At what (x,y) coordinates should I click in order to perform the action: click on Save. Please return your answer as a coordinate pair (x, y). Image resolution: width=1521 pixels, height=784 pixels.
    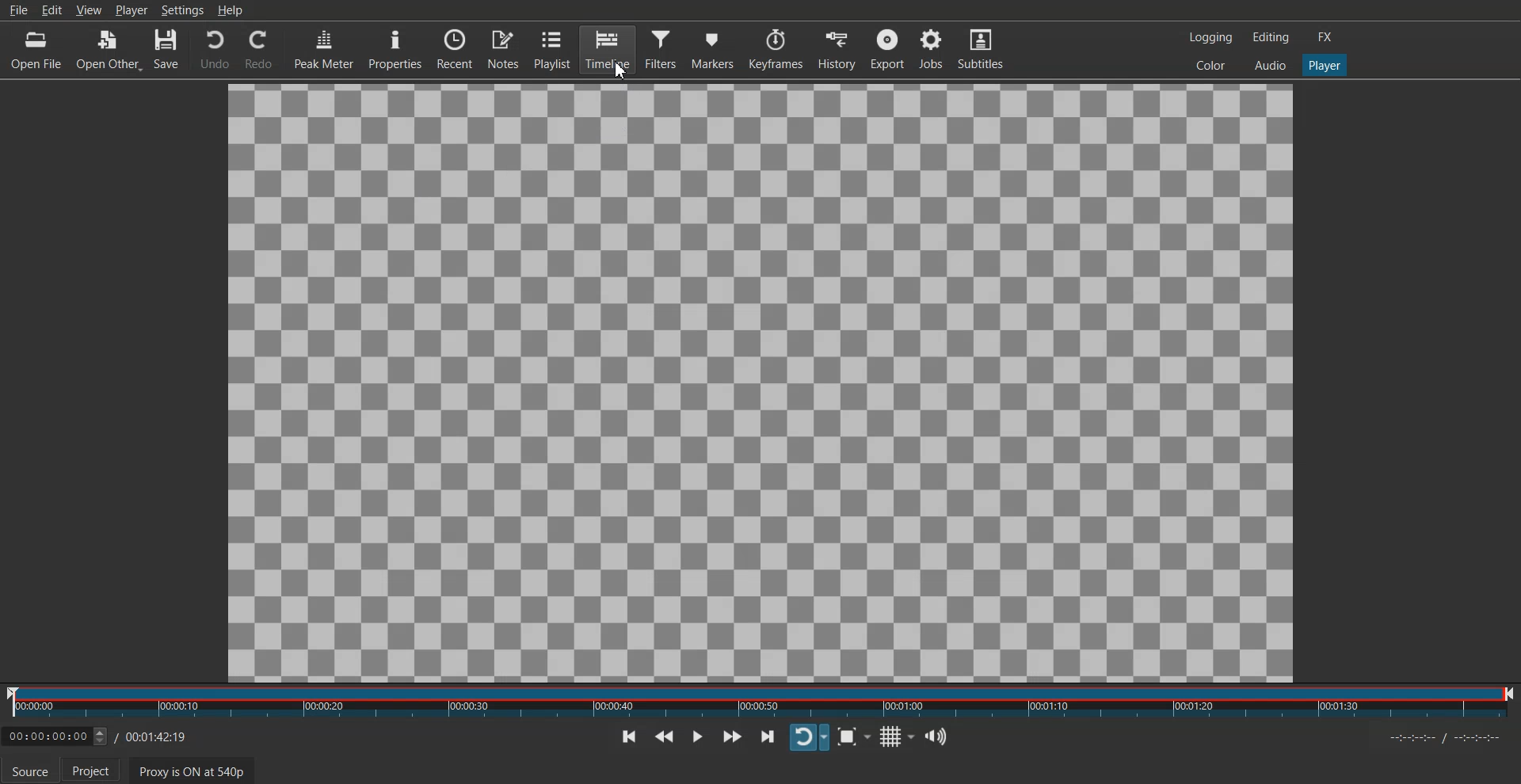
    Looking at the image, I should click on (167, 50).